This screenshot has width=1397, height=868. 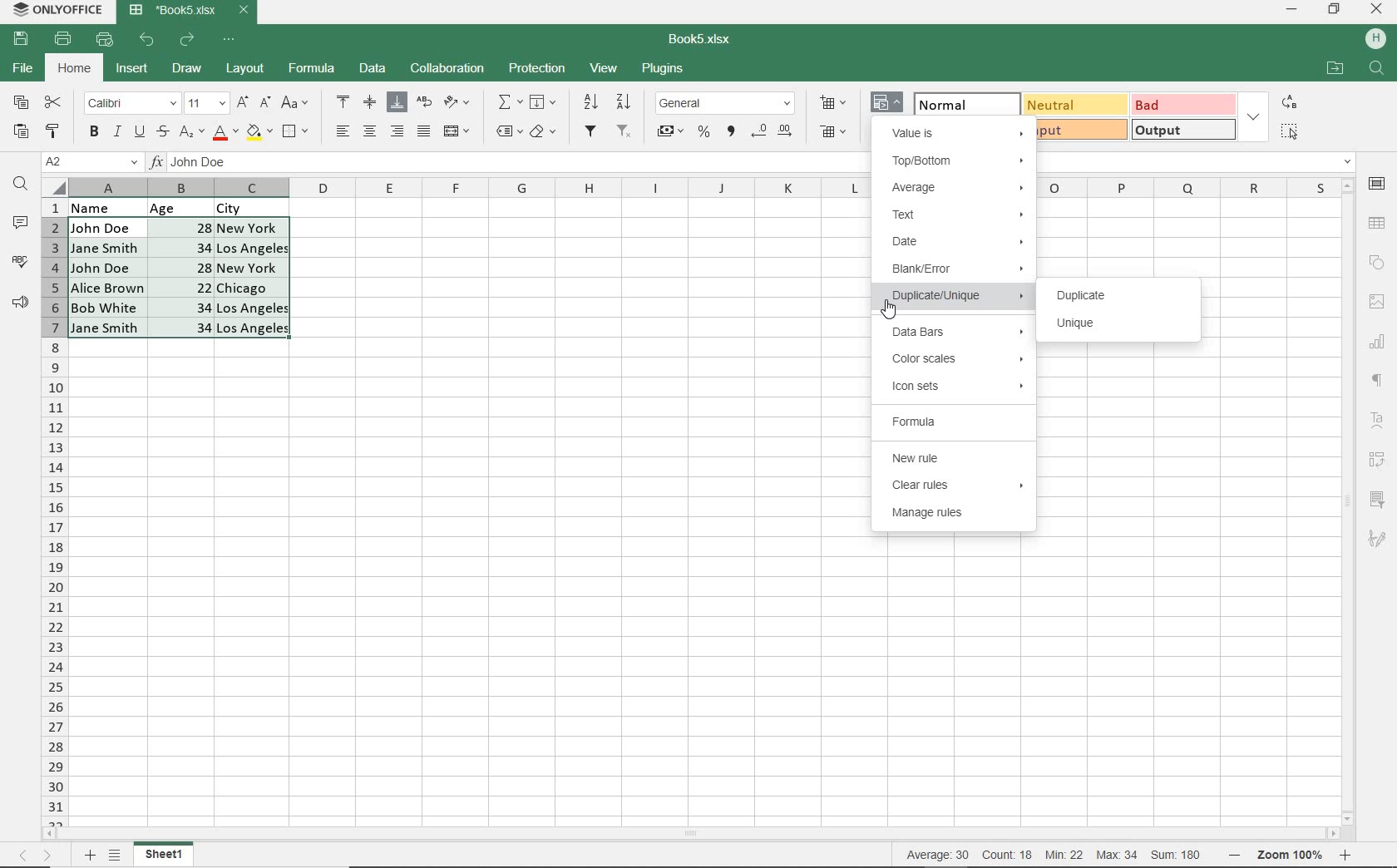 I want to click on NORMAL, so click(x=959, y=102).